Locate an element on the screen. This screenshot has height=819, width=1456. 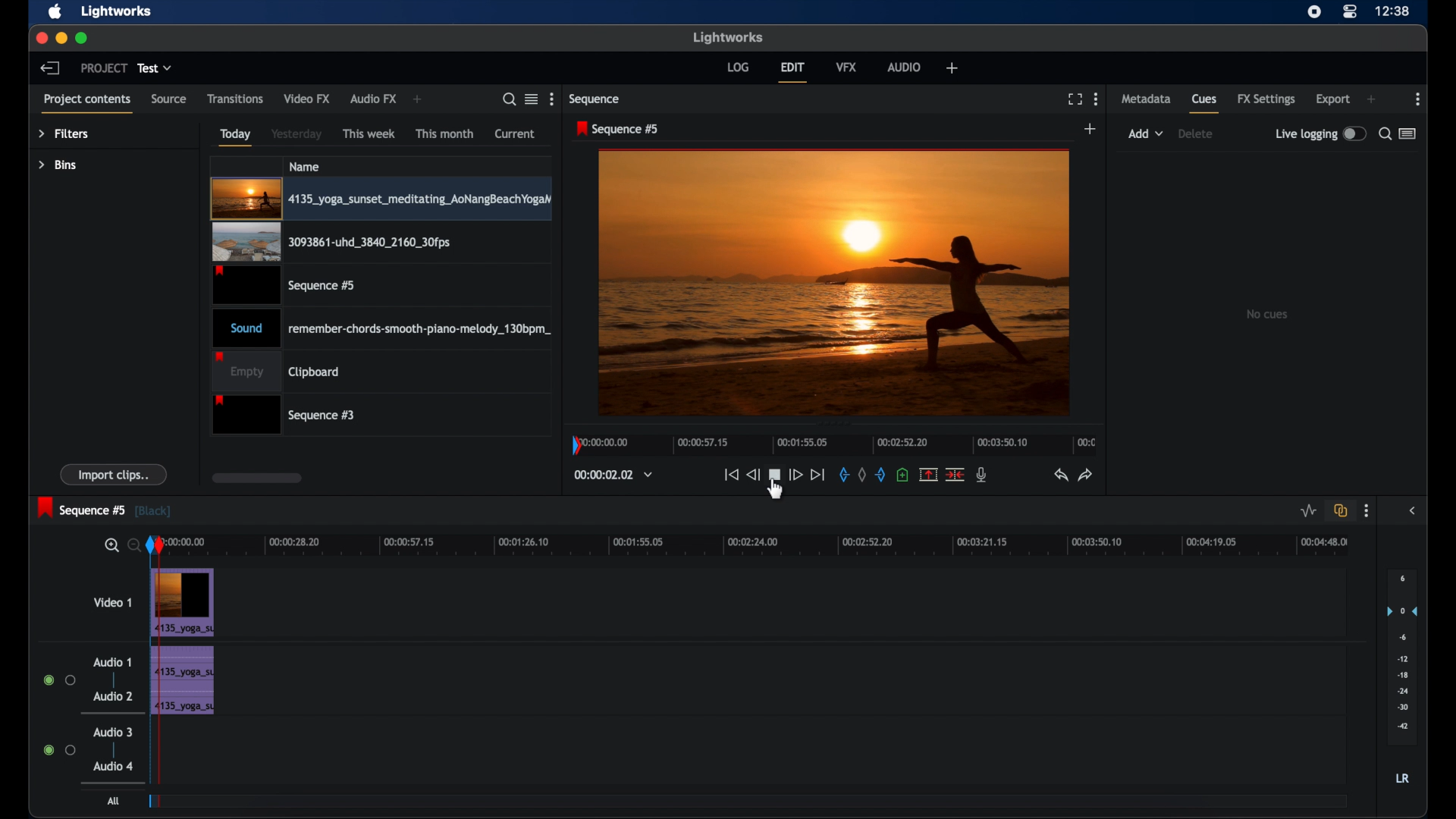
export is located at coordinates (1334, 99).